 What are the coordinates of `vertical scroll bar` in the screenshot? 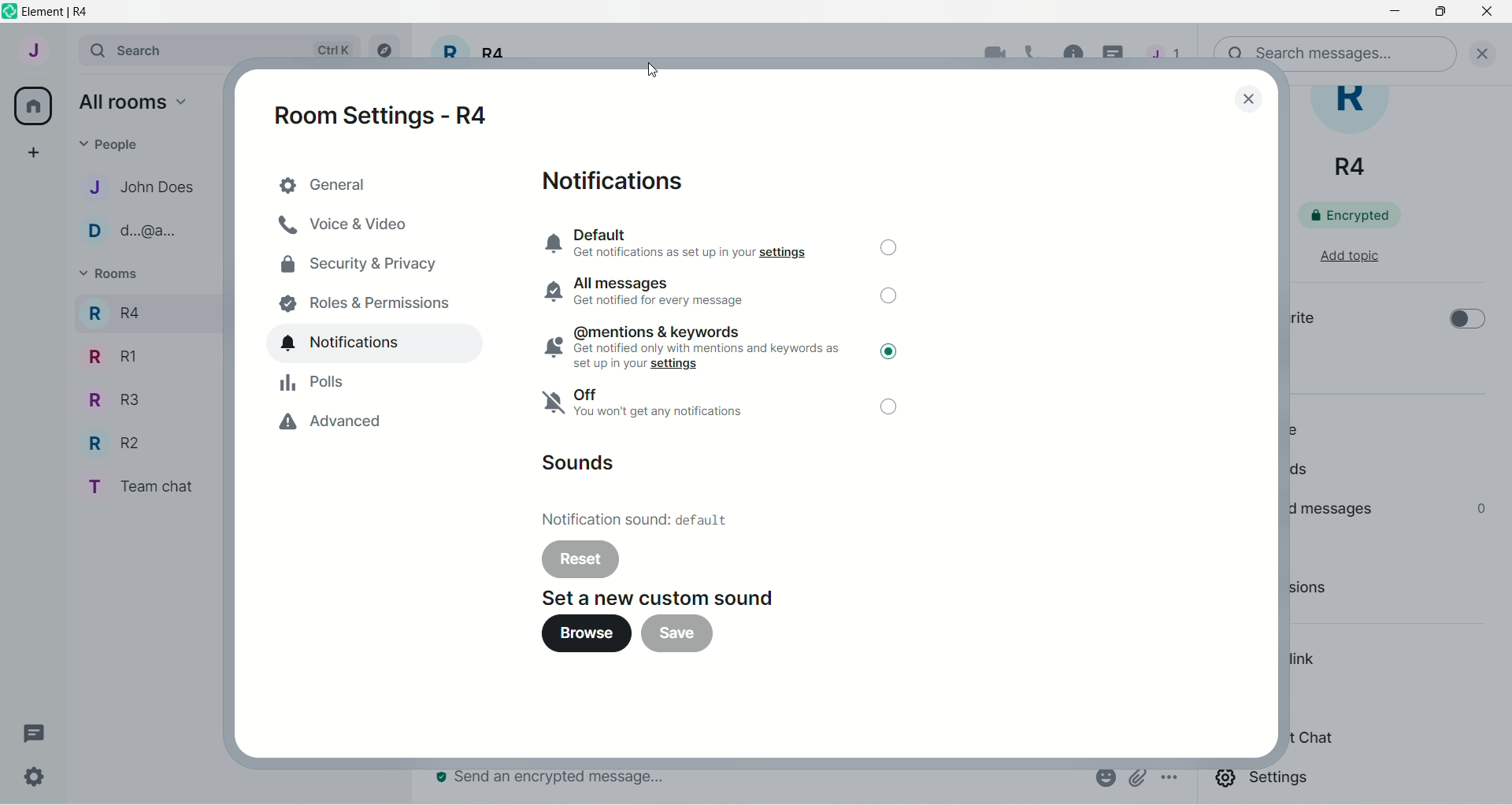 It's located at (1273, 447).